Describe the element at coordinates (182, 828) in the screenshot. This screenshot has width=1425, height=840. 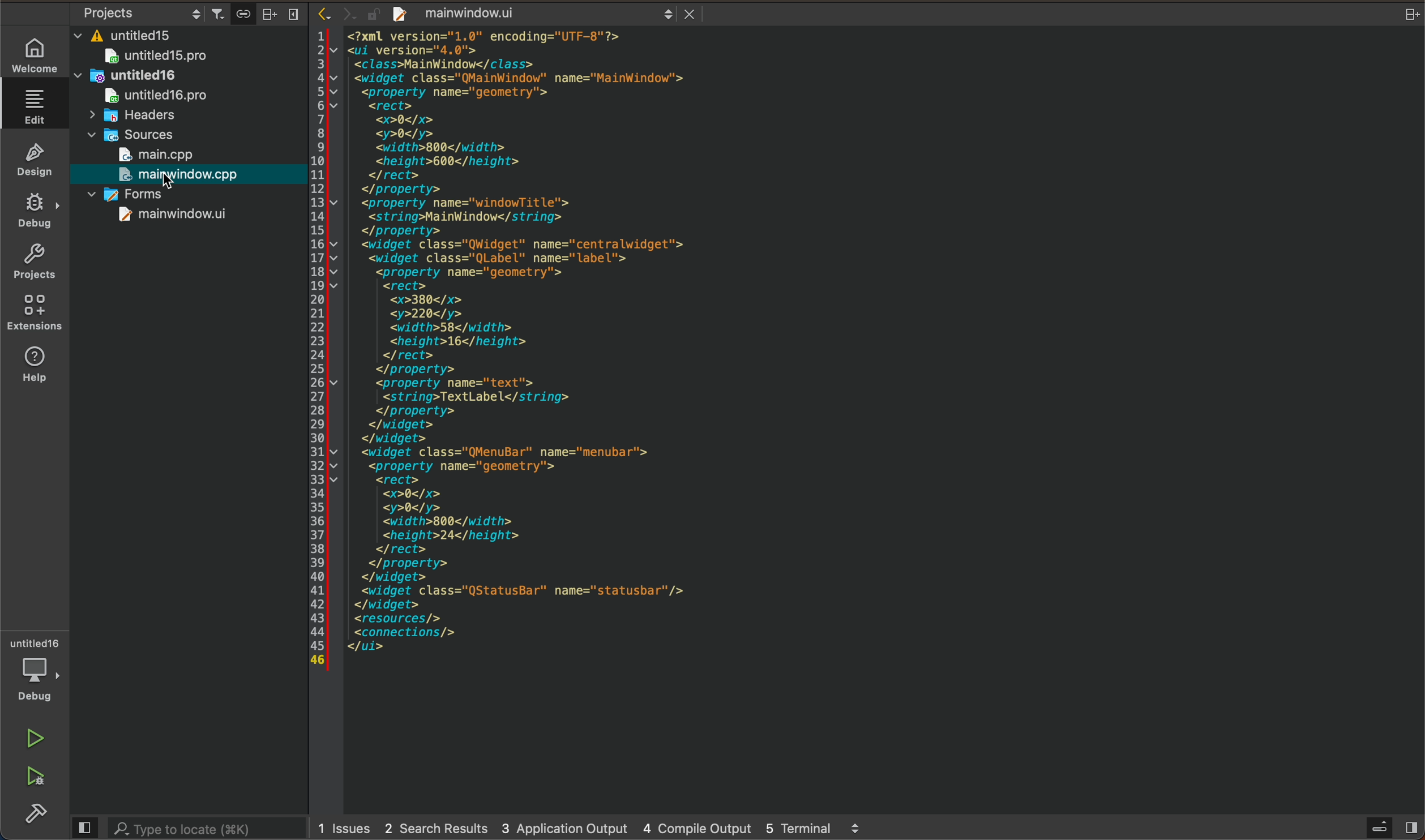
I see `Type to locate` at that location.